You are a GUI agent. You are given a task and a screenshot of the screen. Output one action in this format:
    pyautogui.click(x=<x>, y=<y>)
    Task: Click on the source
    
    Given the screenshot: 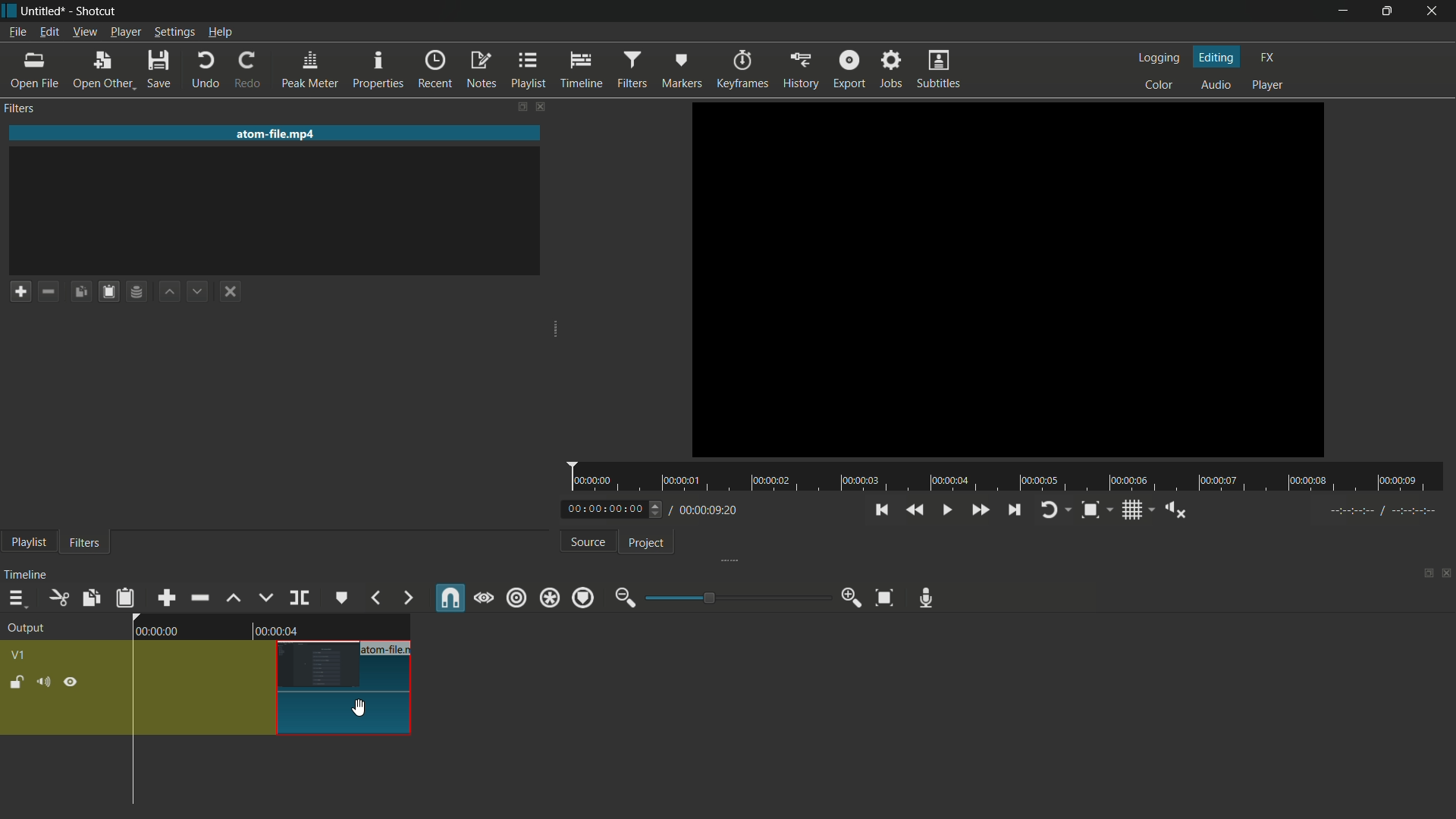 What is the action you would take?
    pyautogui.click(x=585, y=541)
    